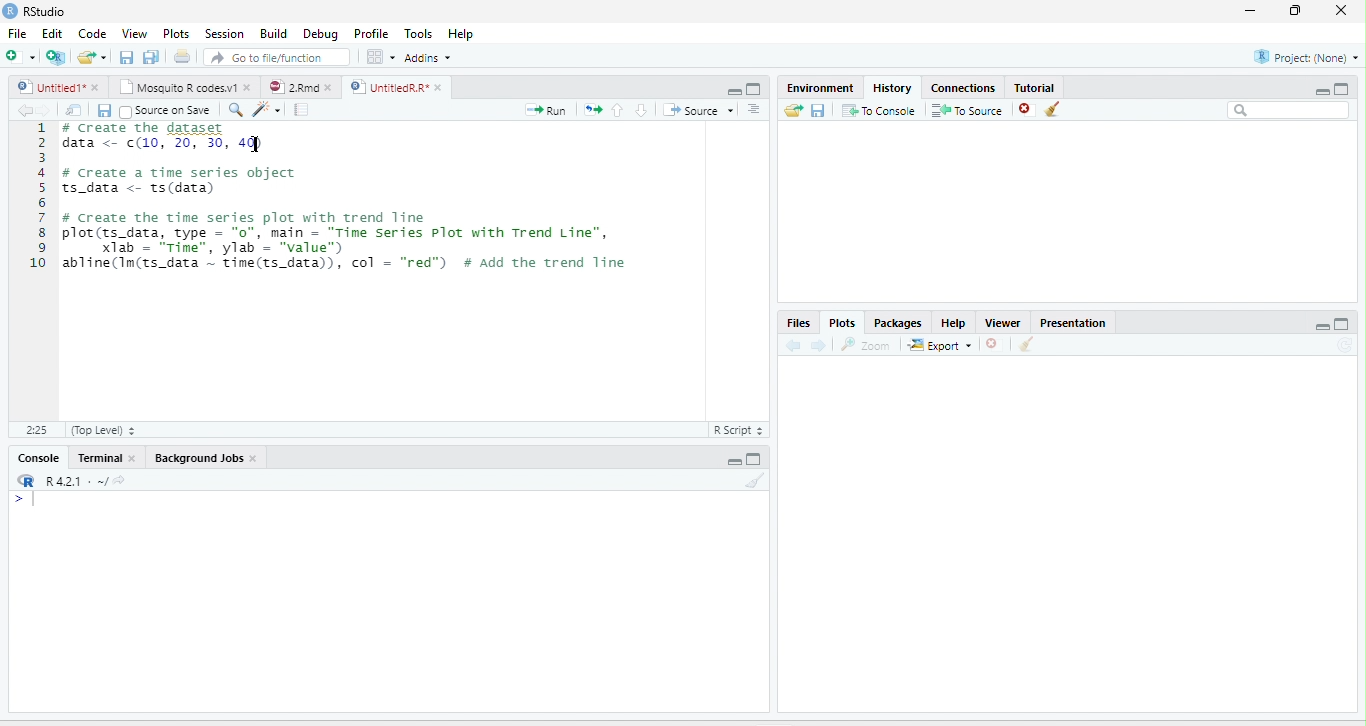 This screenshot has width=1366, height=726. What do you see at coordinates (97, 458) in the screenshot?
I see `Terminal` at bounding box center [97, 458].